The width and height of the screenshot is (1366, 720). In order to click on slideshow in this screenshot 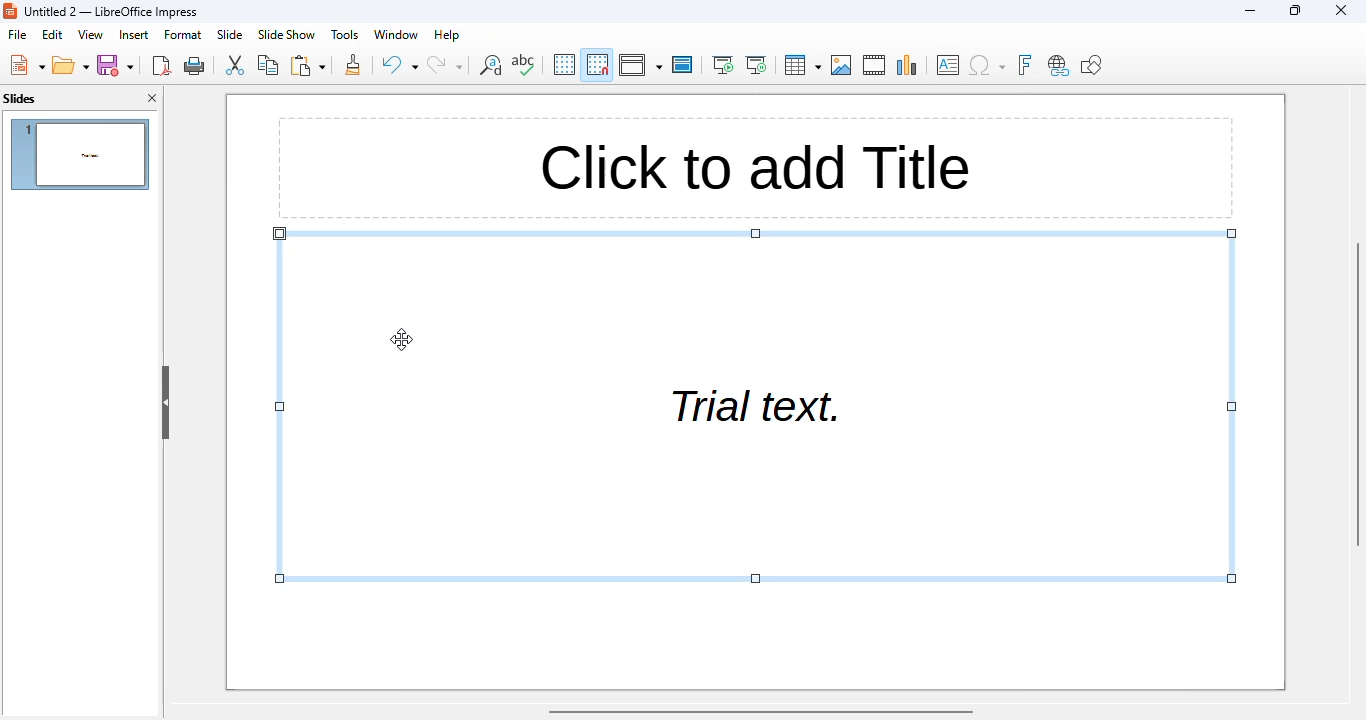, I will do `click(287, 35)`.